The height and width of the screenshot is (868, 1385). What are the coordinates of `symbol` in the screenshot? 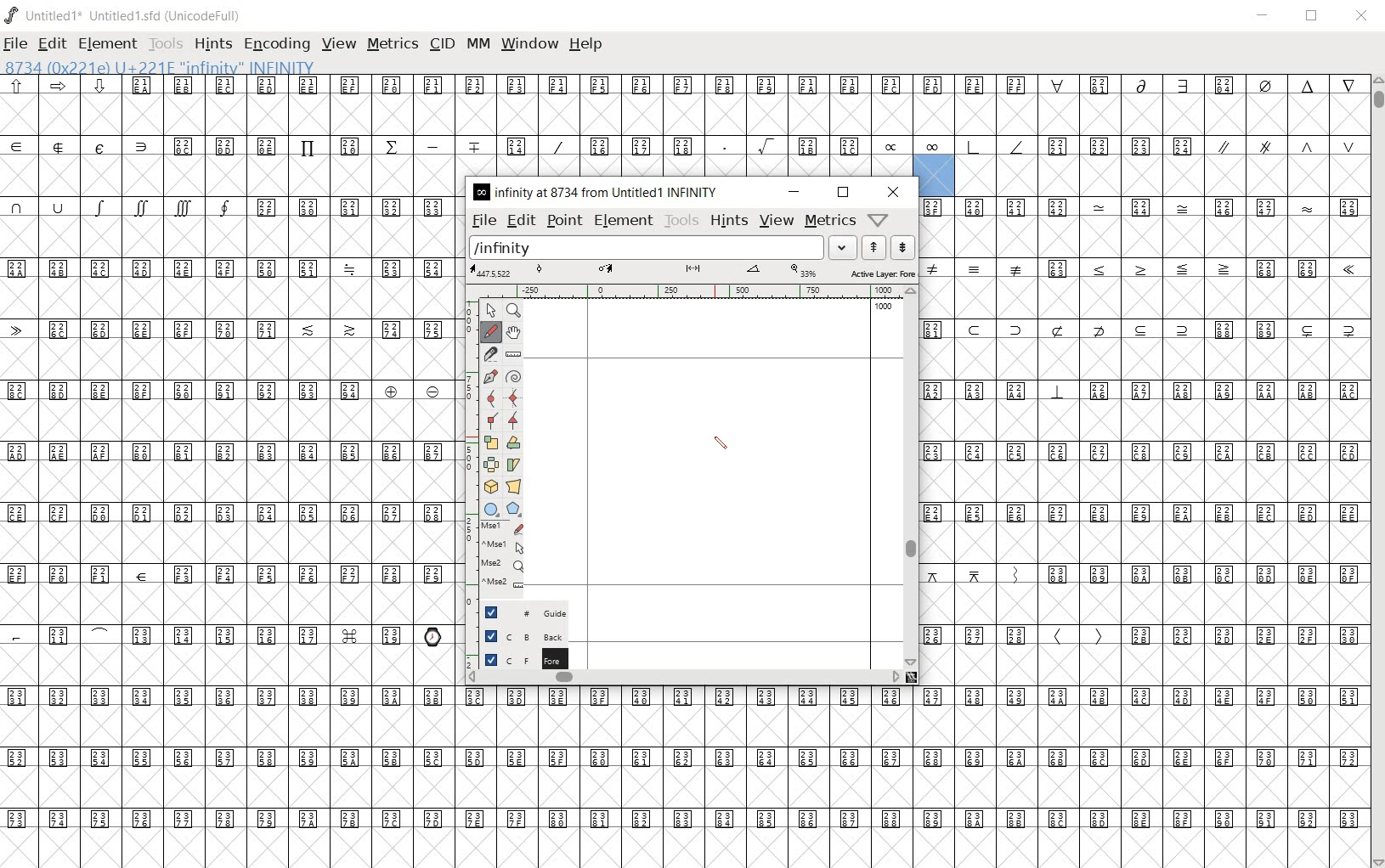 It's located at (1348, 270).